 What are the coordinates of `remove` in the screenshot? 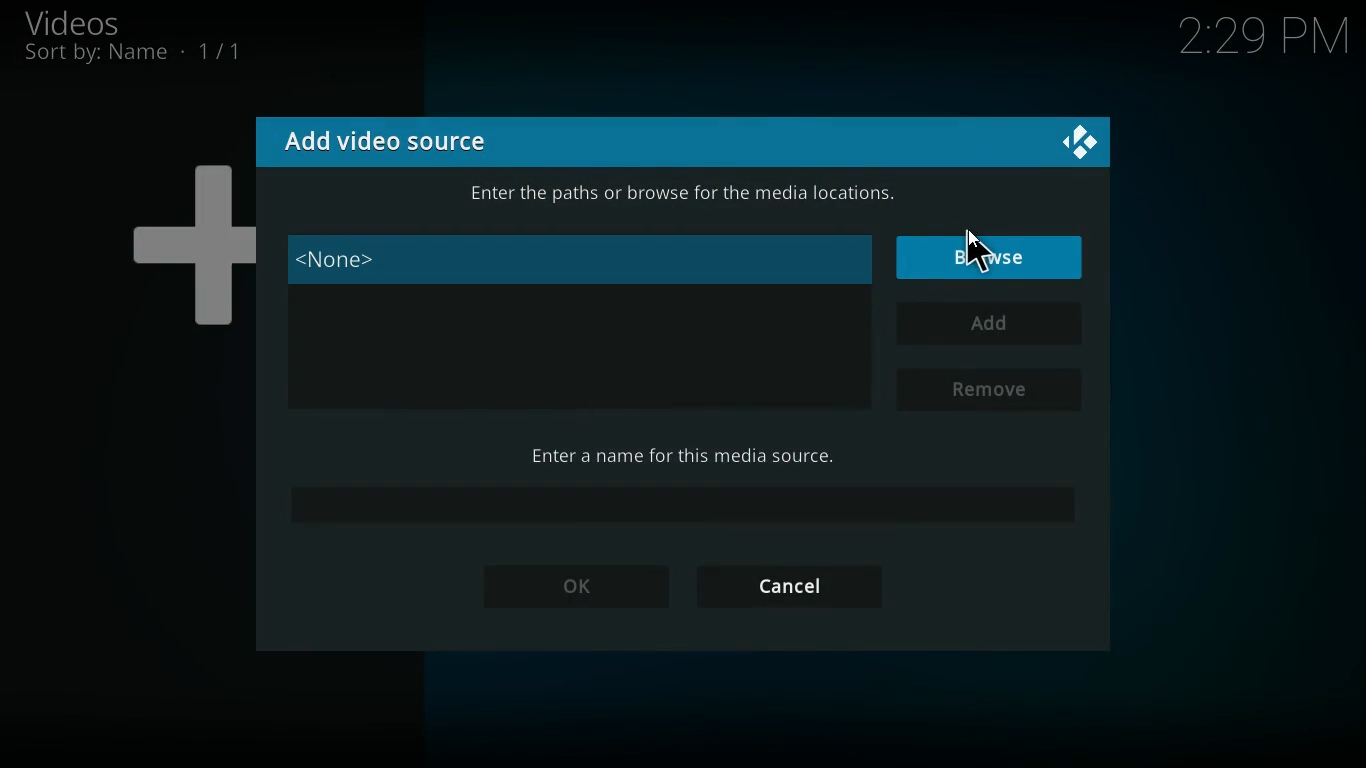 It's located at (994, 388).